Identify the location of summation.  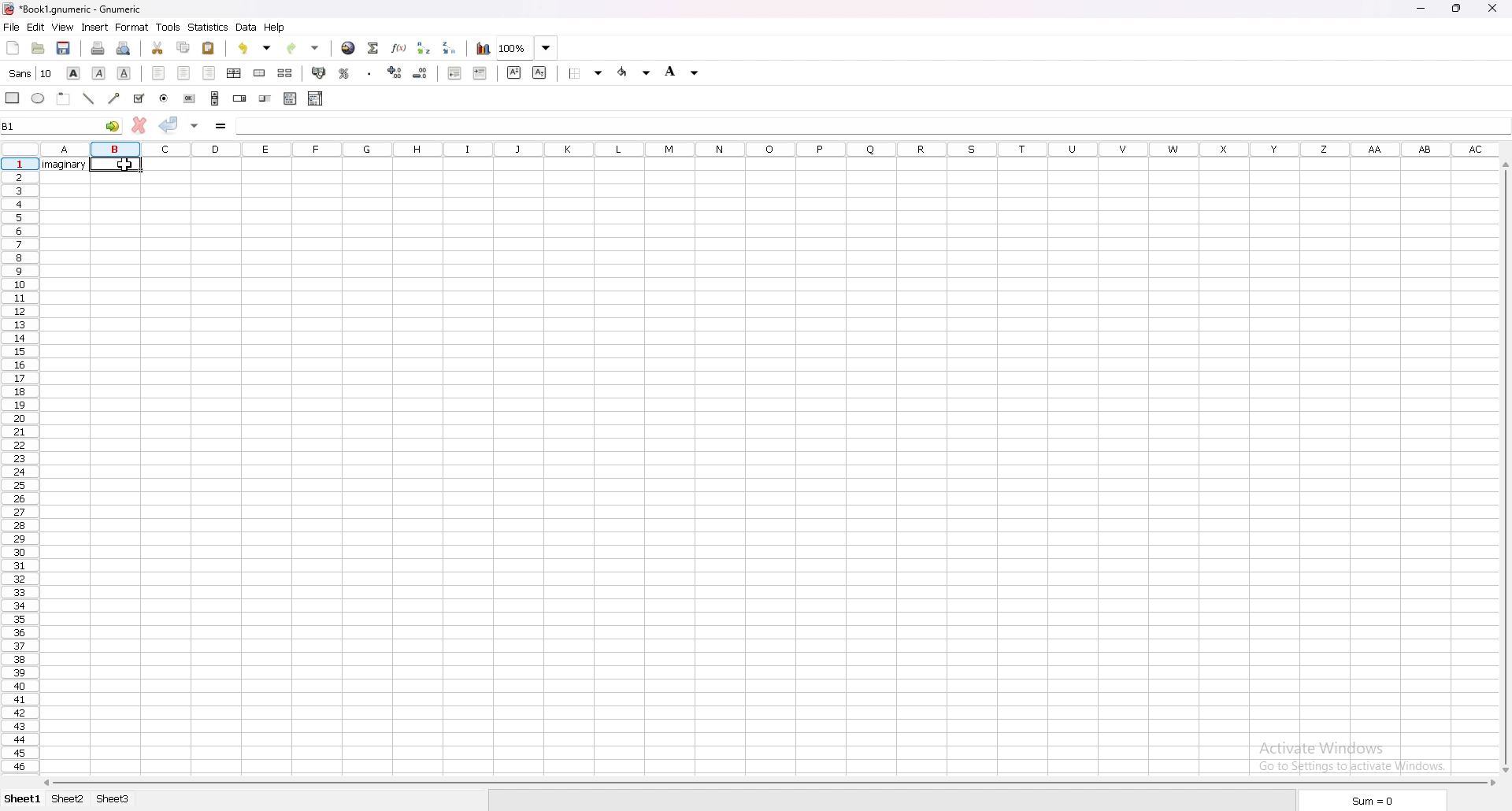
(372, 48).